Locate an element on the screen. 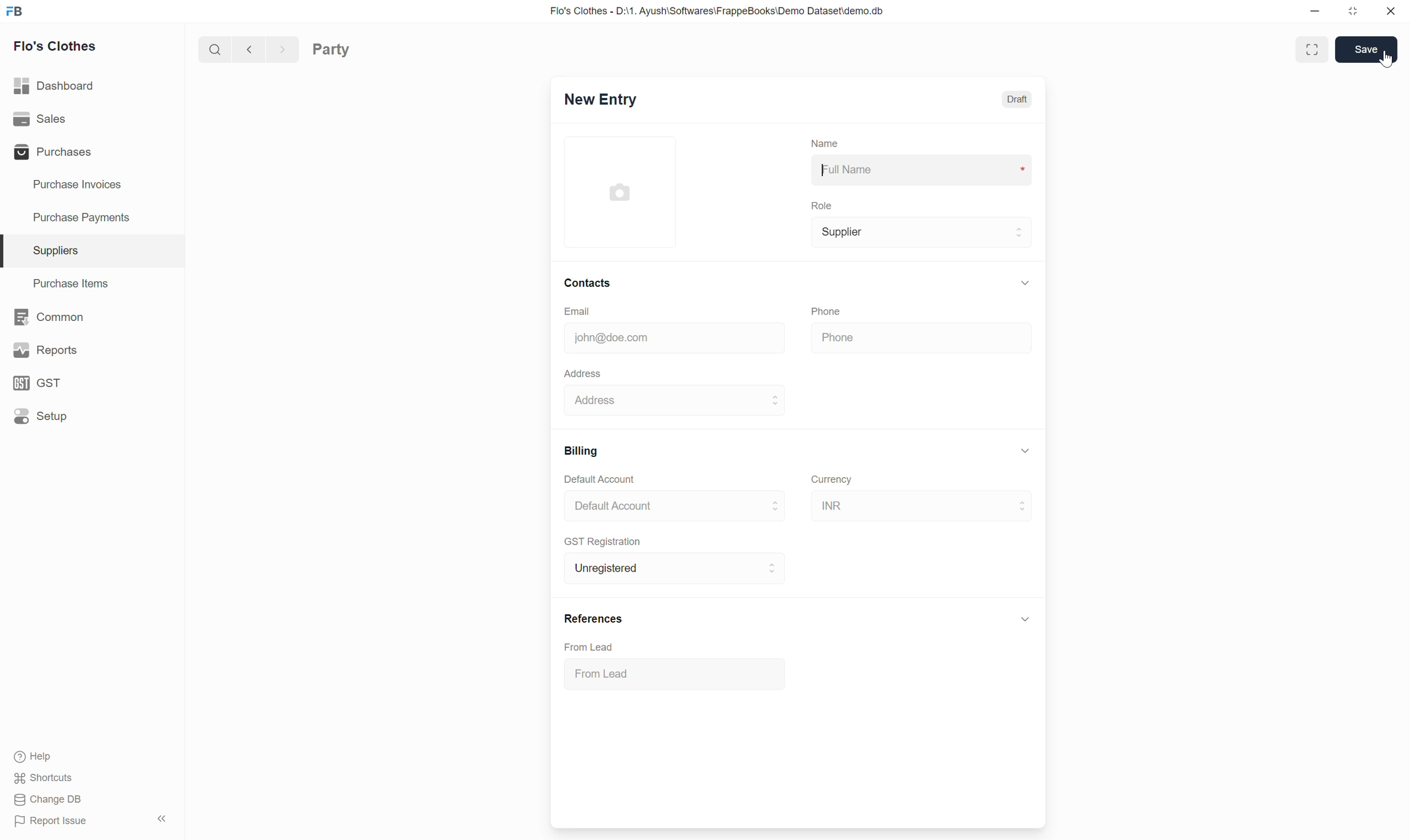 This screenshot has width=1410, height=840. Collapse sidebar is located at coordinates (162, 818).